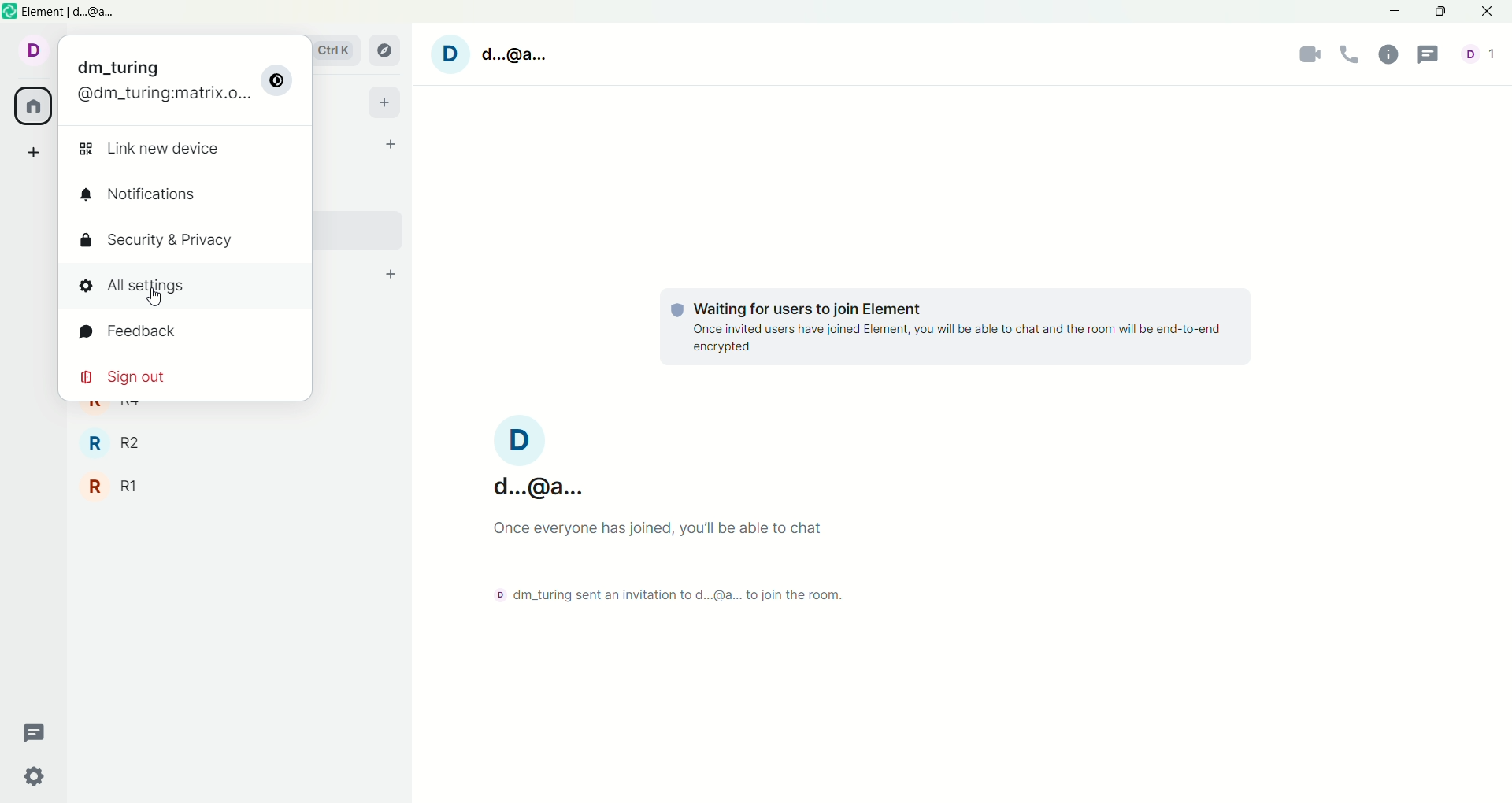 Image resolution: width=1512 pixels, height=803 pixels. I want to click on R1, so click(115, 487).